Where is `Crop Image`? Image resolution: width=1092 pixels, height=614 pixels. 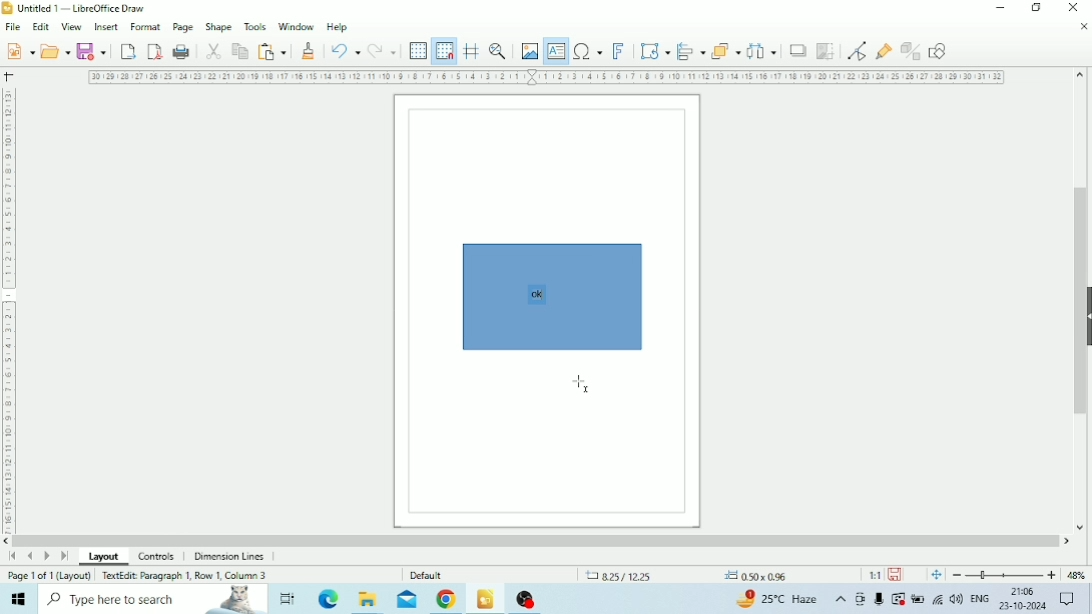
Crop Image is located at coordinates (826, 51).